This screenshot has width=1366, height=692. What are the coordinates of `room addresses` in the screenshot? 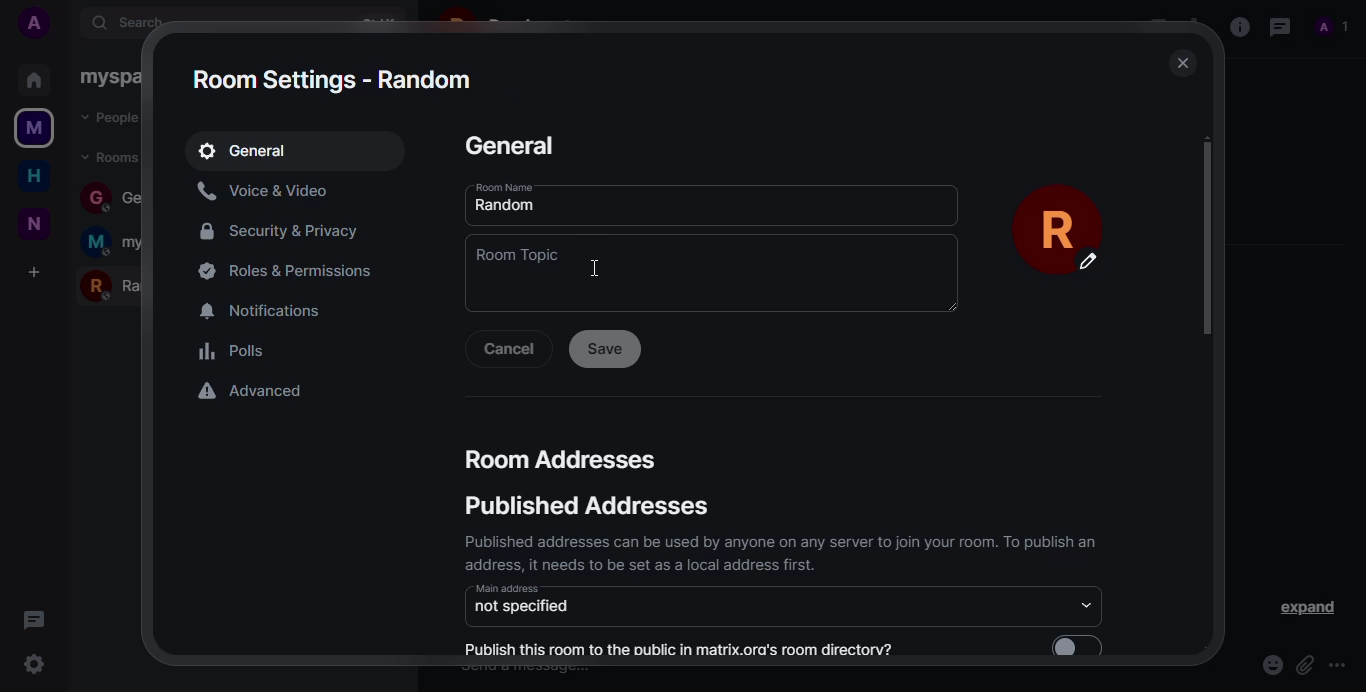 It's located at (560, 457).